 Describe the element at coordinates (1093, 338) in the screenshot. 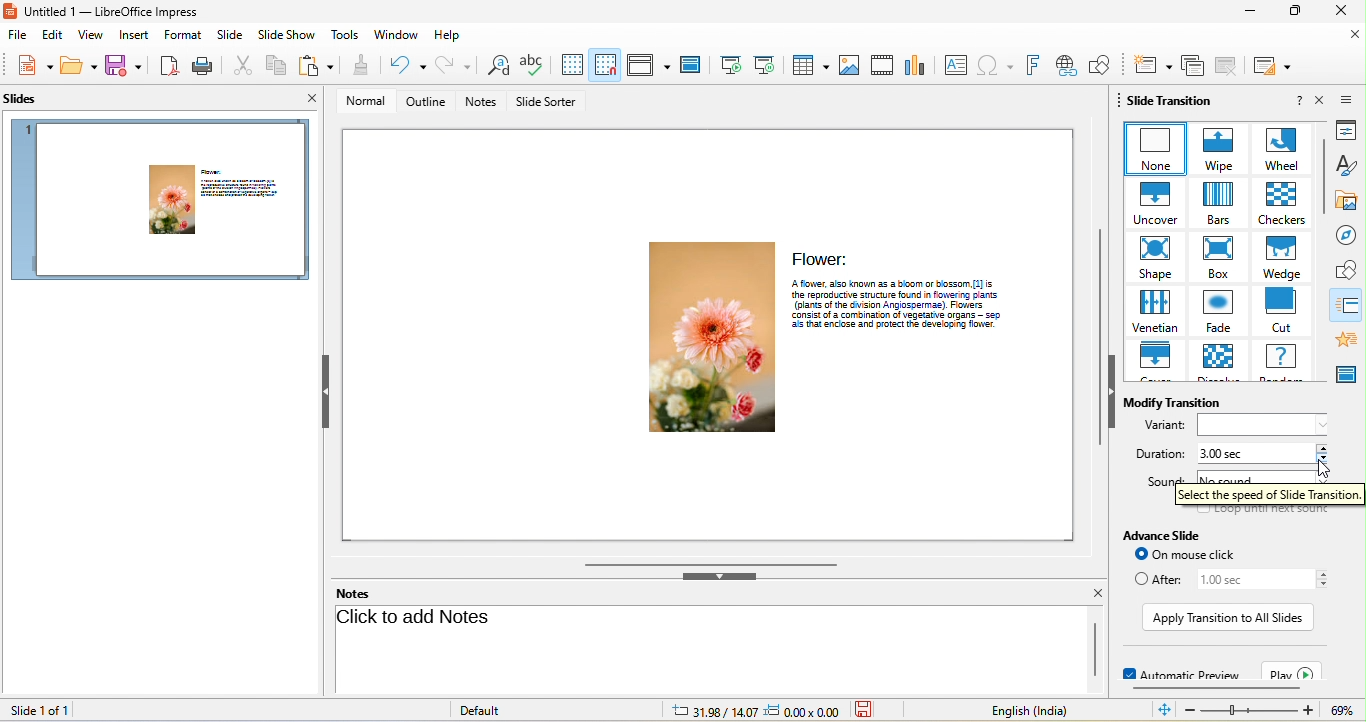

I see `vertical scrollbar` at that location.